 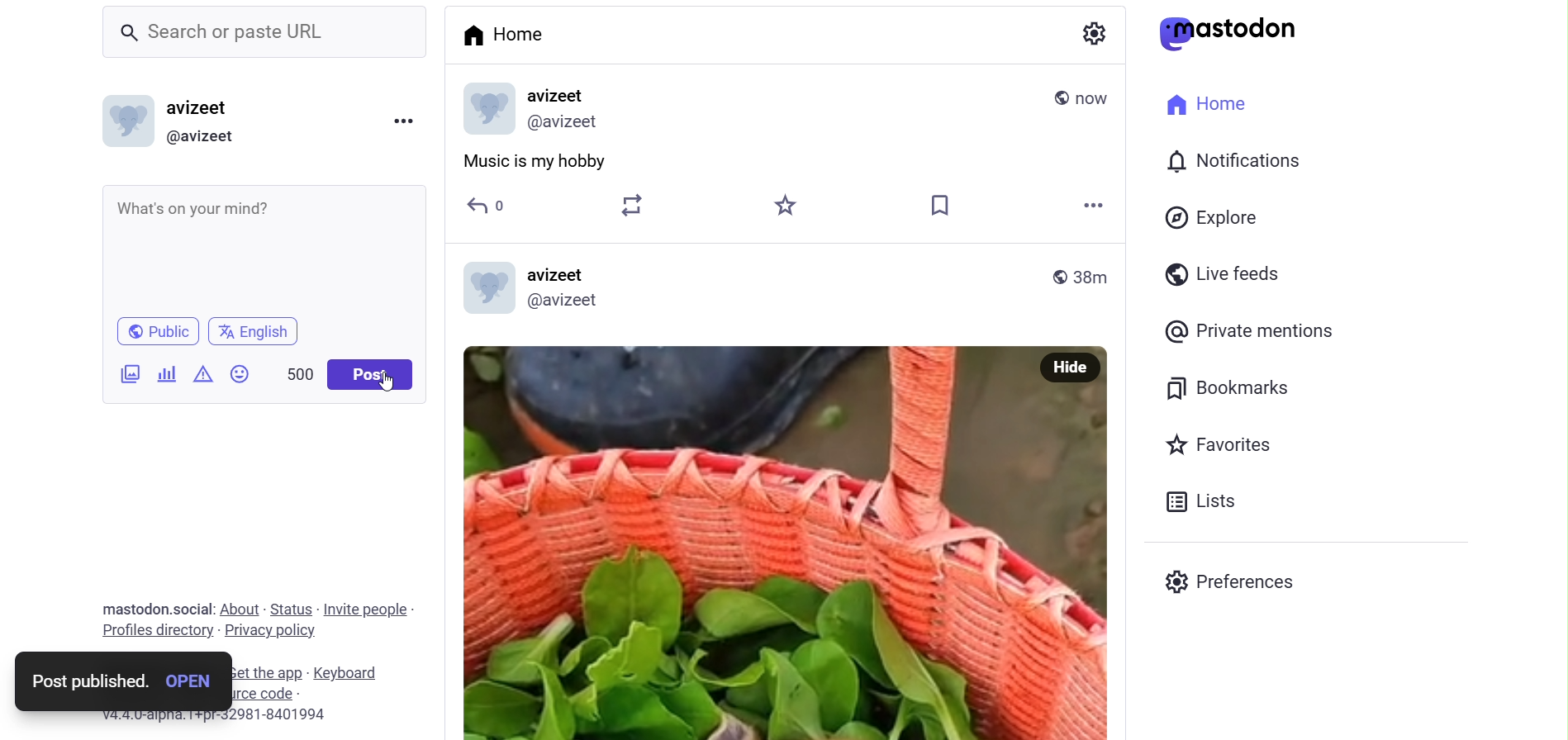 What do you see at coordinates (781, 205) in the screenshot?
I see `Favorites` at bounding box center [781, 205].